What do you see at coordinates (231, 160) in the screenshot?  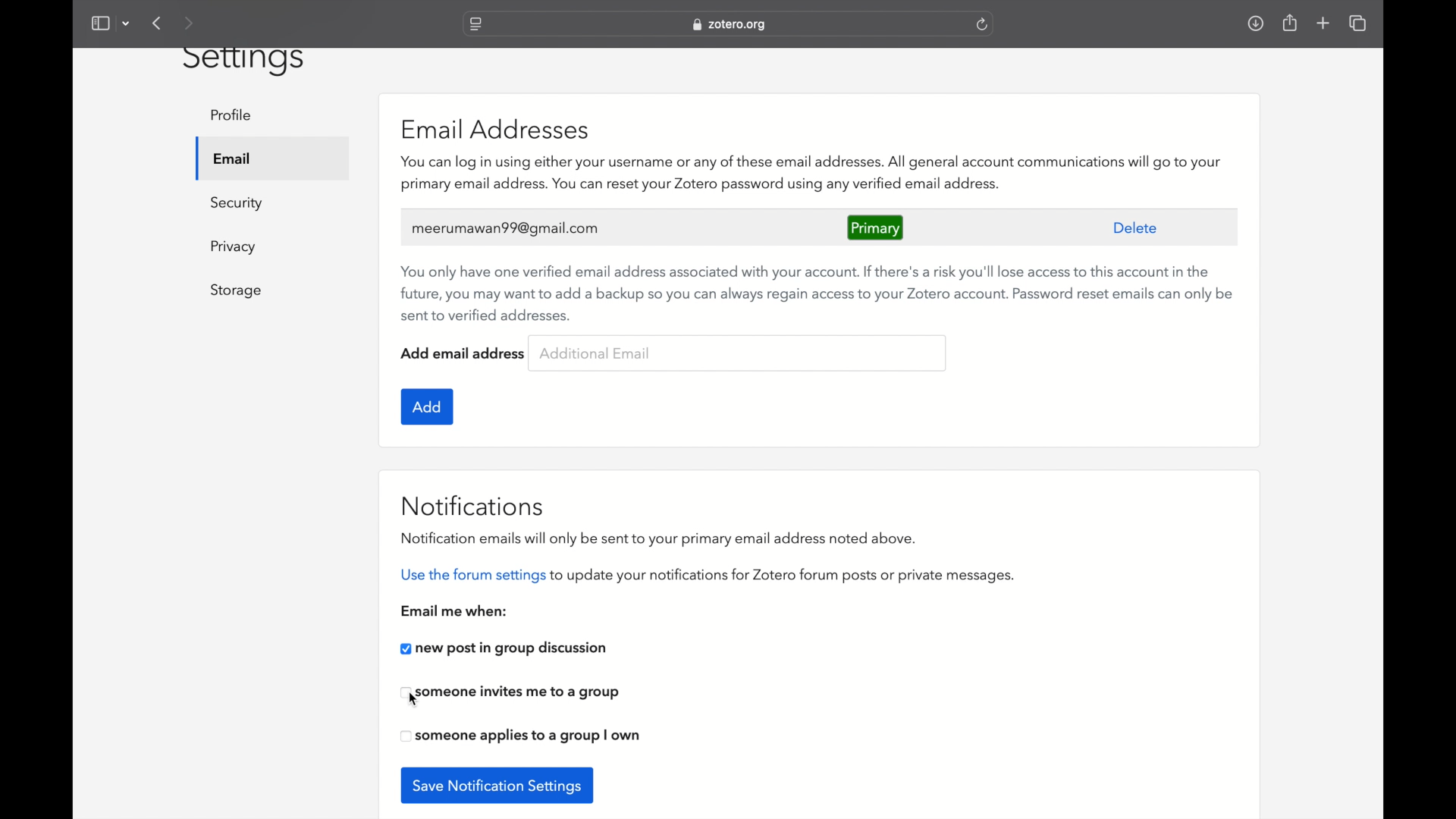 I see `email` at bounding box center [231, 160].